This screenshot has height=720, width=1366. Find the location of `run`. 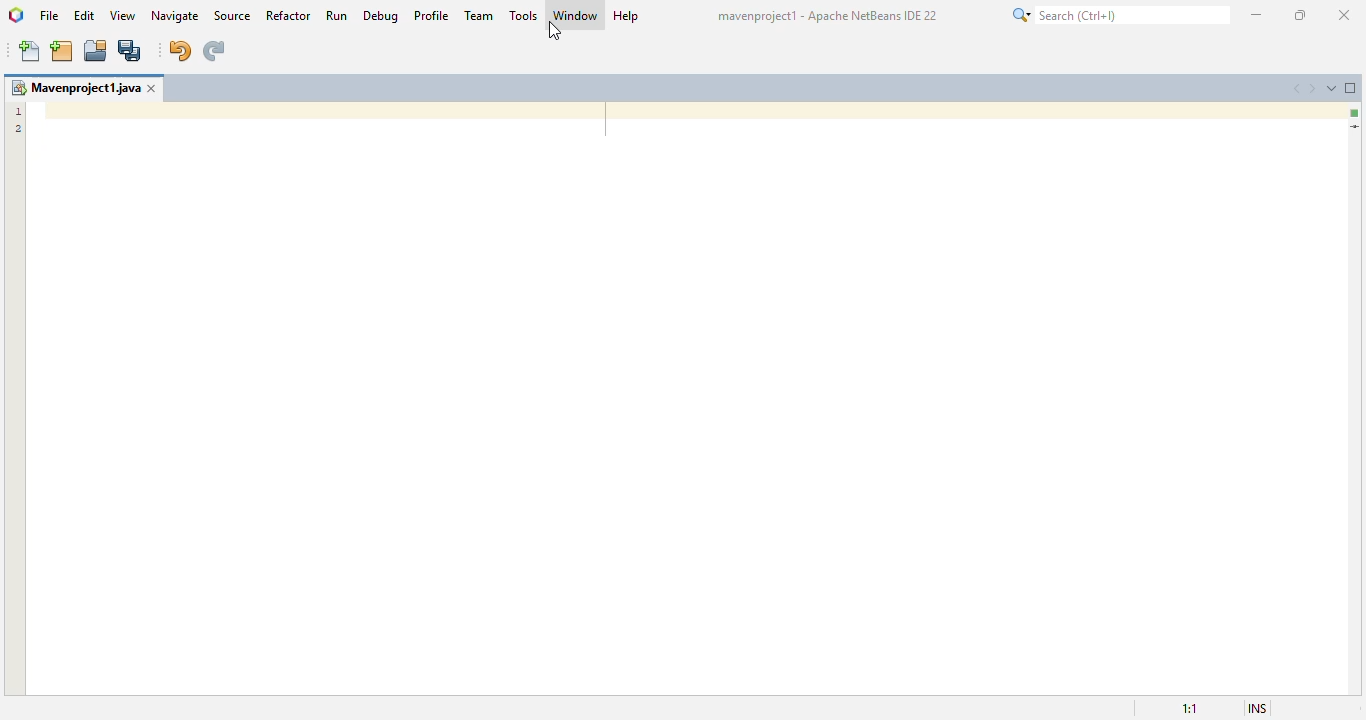

run is located at coordinates (336, 15).